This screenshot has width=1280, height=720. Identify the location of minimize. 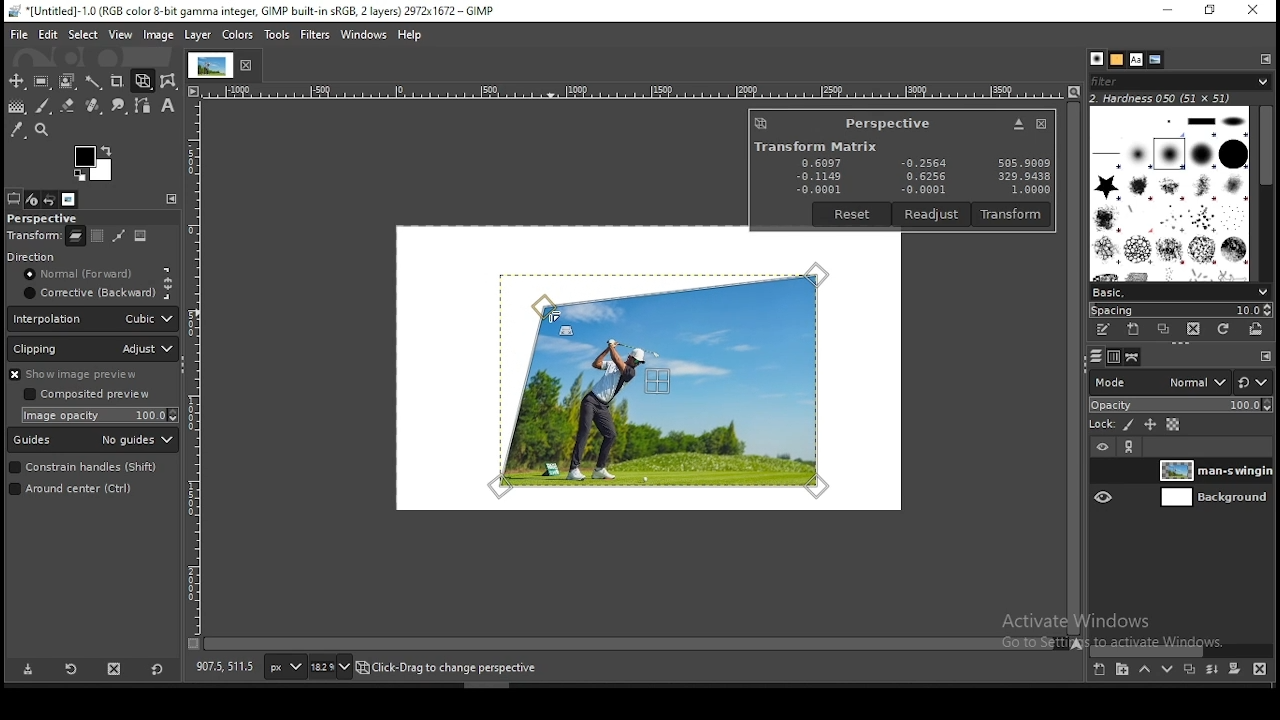
(1167, 10).